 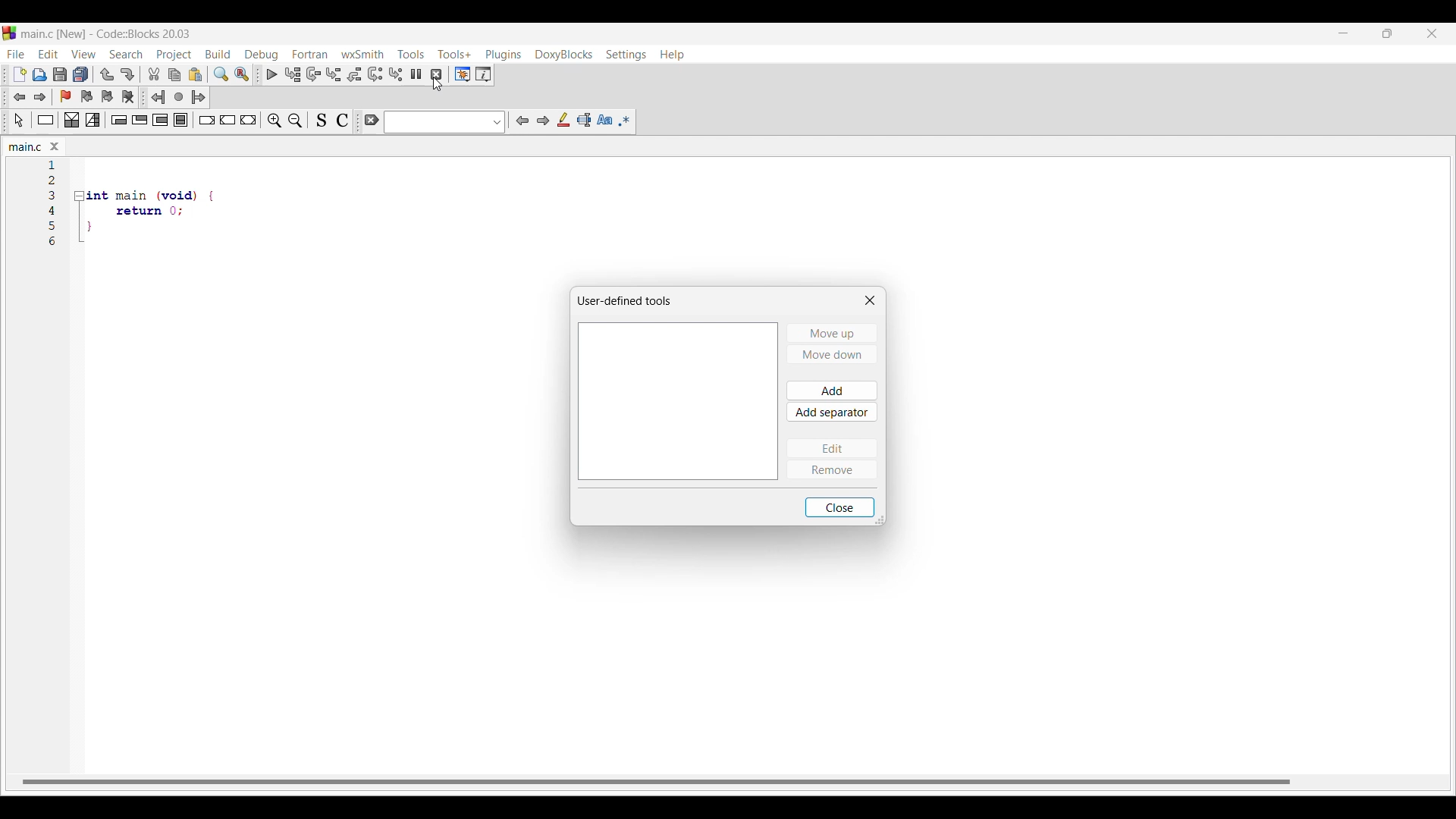 What do you see at coordinates (248, 120) in the screenshot?
I see `Return instruction` at bounding box center [248, 120].